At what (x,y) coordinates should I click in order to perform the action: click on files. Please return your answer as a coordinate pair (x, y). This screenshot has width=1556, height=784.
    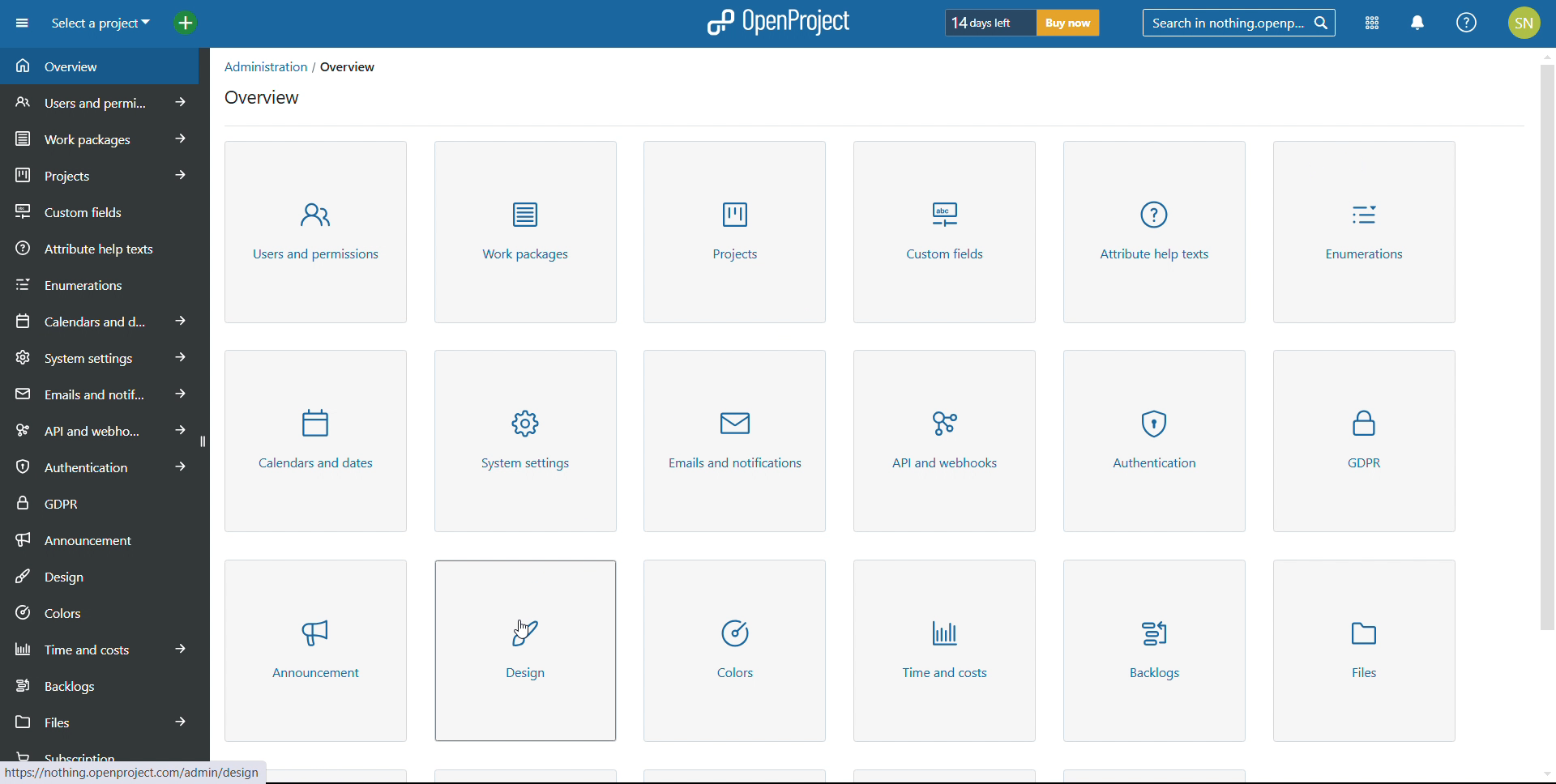
    Looking at the image, I should click on (101, 720).